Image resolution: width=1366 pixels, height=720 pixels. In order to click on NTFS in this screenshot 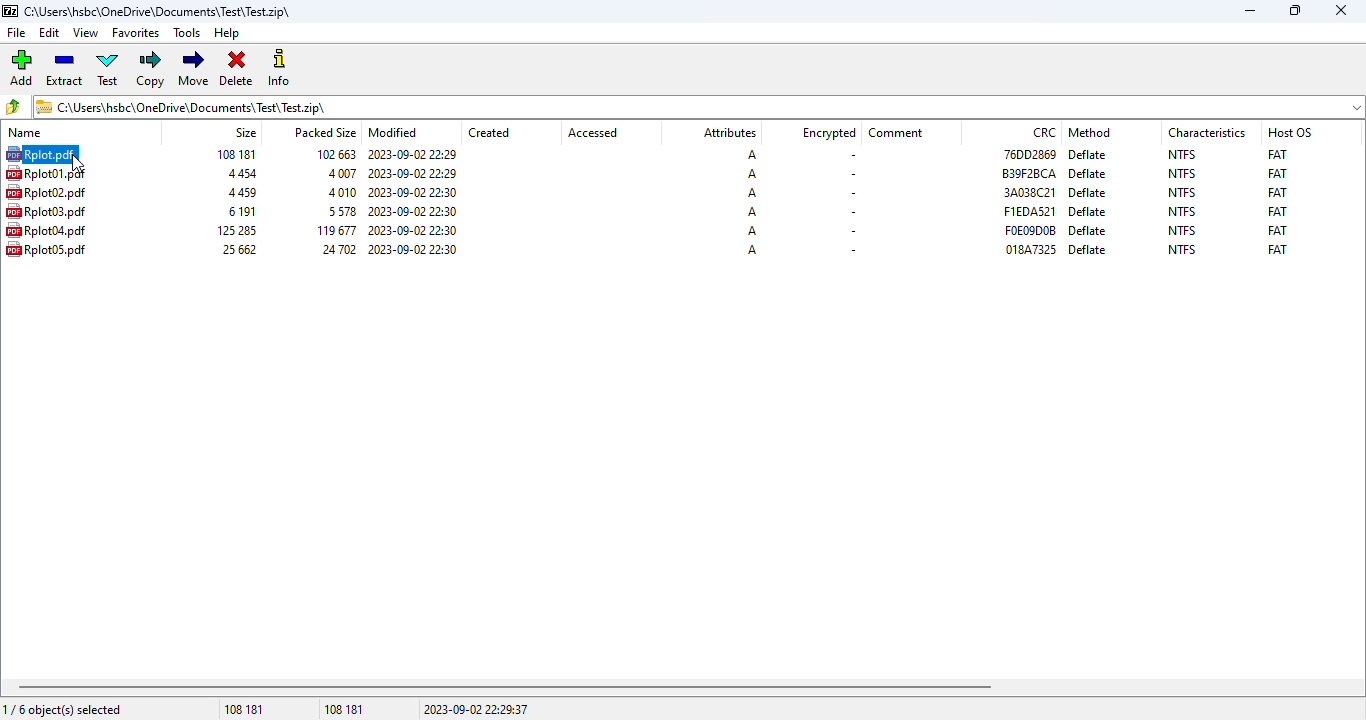, I will do `click(1182, 211)`.